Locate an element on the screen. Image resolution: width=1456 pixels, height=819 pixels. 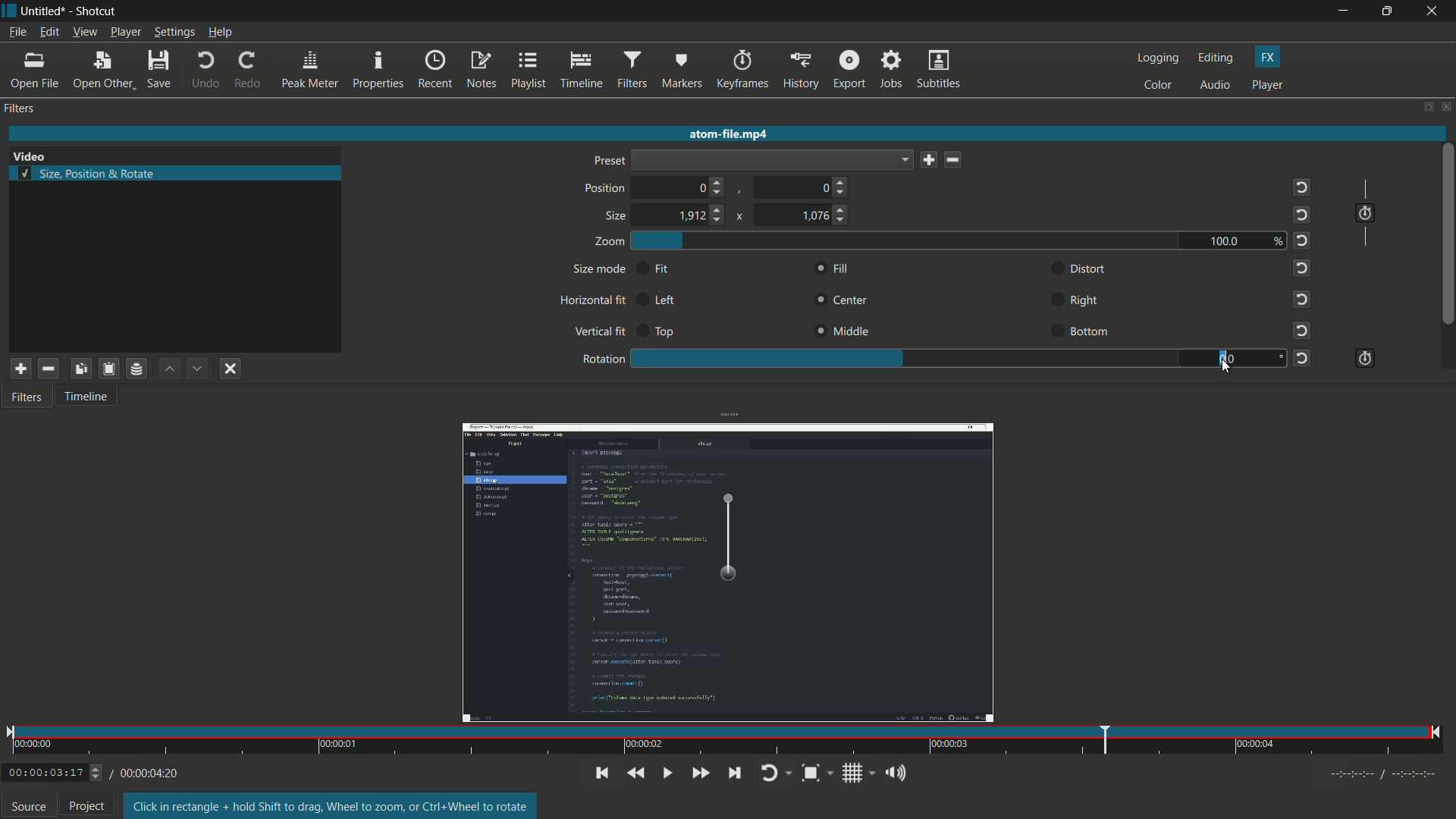
open other is located at coordinates (99, 71).